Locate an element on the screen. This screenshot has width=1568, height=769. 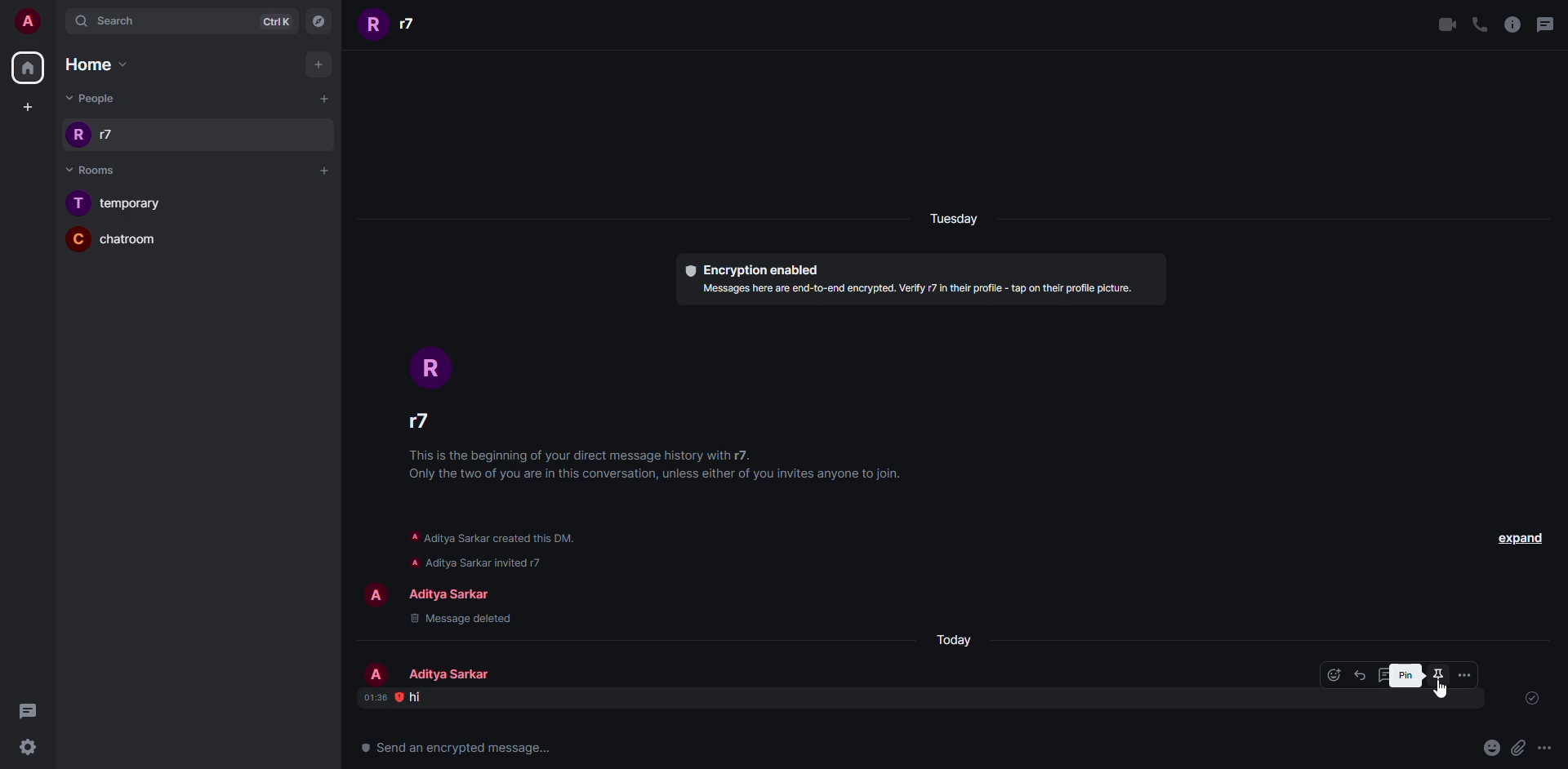
search is located at coordinates (110, 20).